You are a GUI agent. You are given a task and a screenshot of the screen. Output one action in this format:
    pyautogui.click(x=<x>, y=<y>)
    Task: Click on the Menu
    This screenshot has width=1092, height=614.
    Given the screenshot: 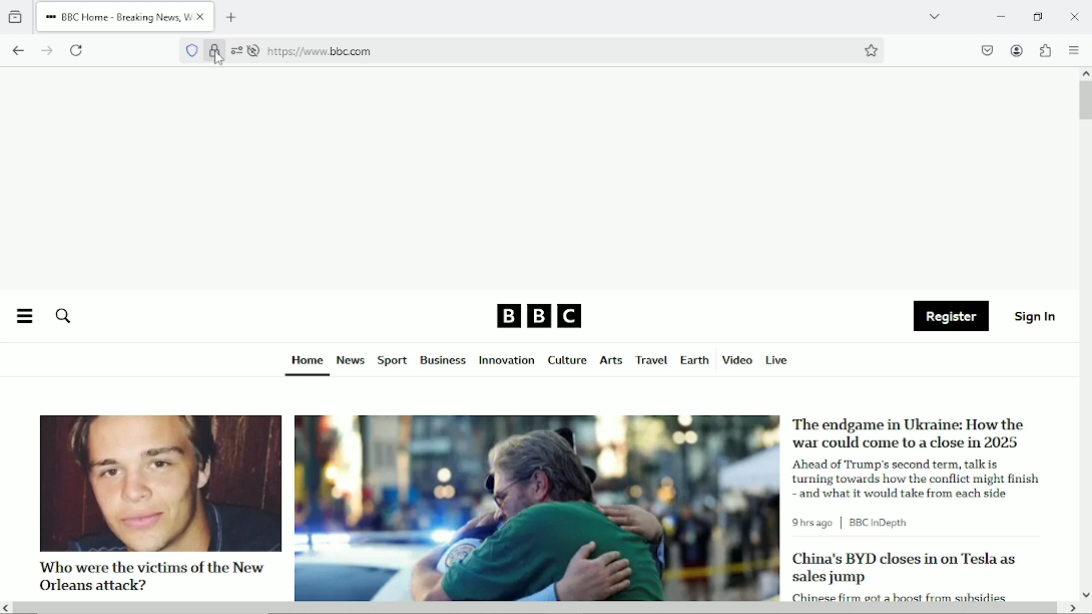 What is the action you would take?
    pyautogui.click(x=24, y=316)
    